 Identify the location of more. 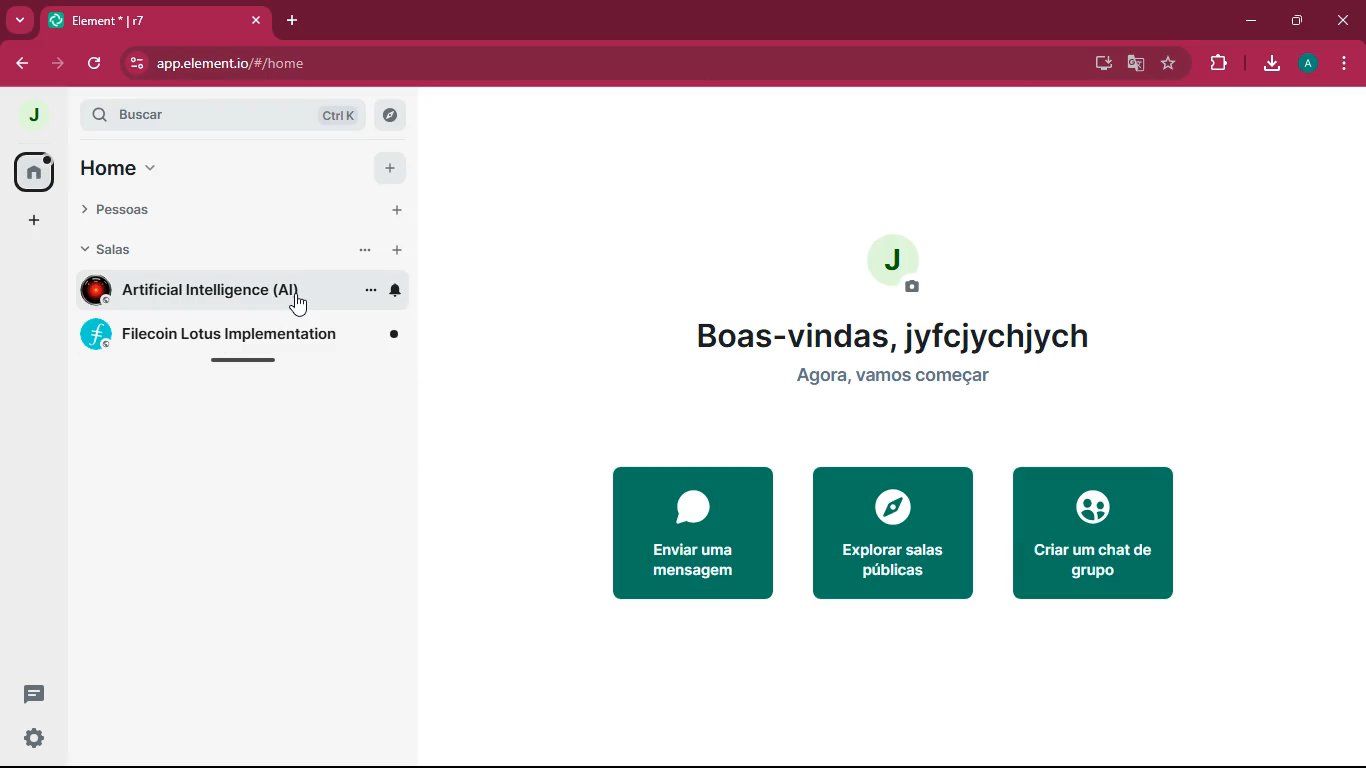
(368, 290).